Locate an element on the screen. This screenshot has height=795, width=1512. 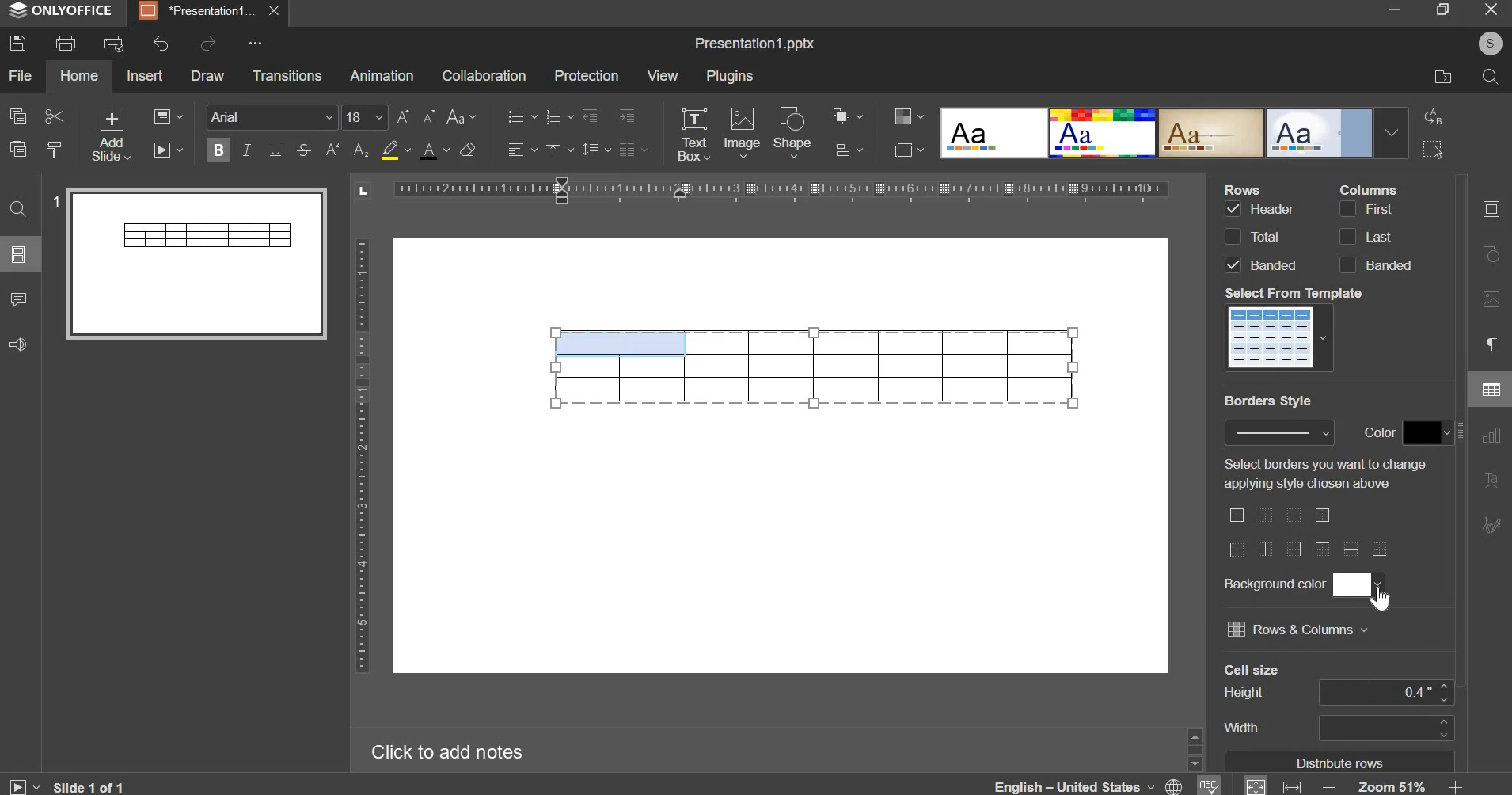
feedback is located at coordinates (16, 345).